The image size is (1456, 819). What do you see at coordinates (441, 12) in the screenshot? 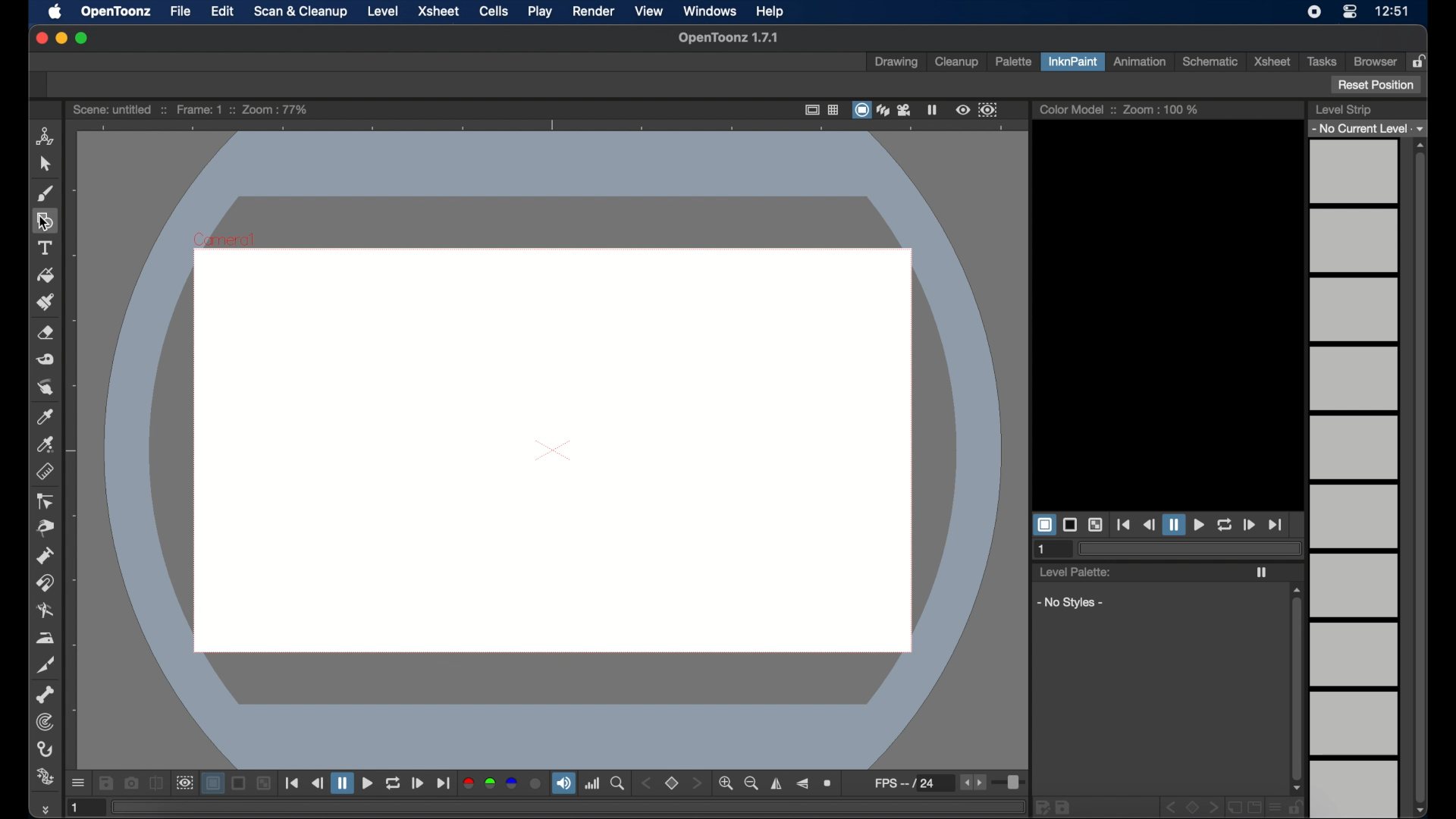
I see `xsheet` at bounding box center [441, 12].